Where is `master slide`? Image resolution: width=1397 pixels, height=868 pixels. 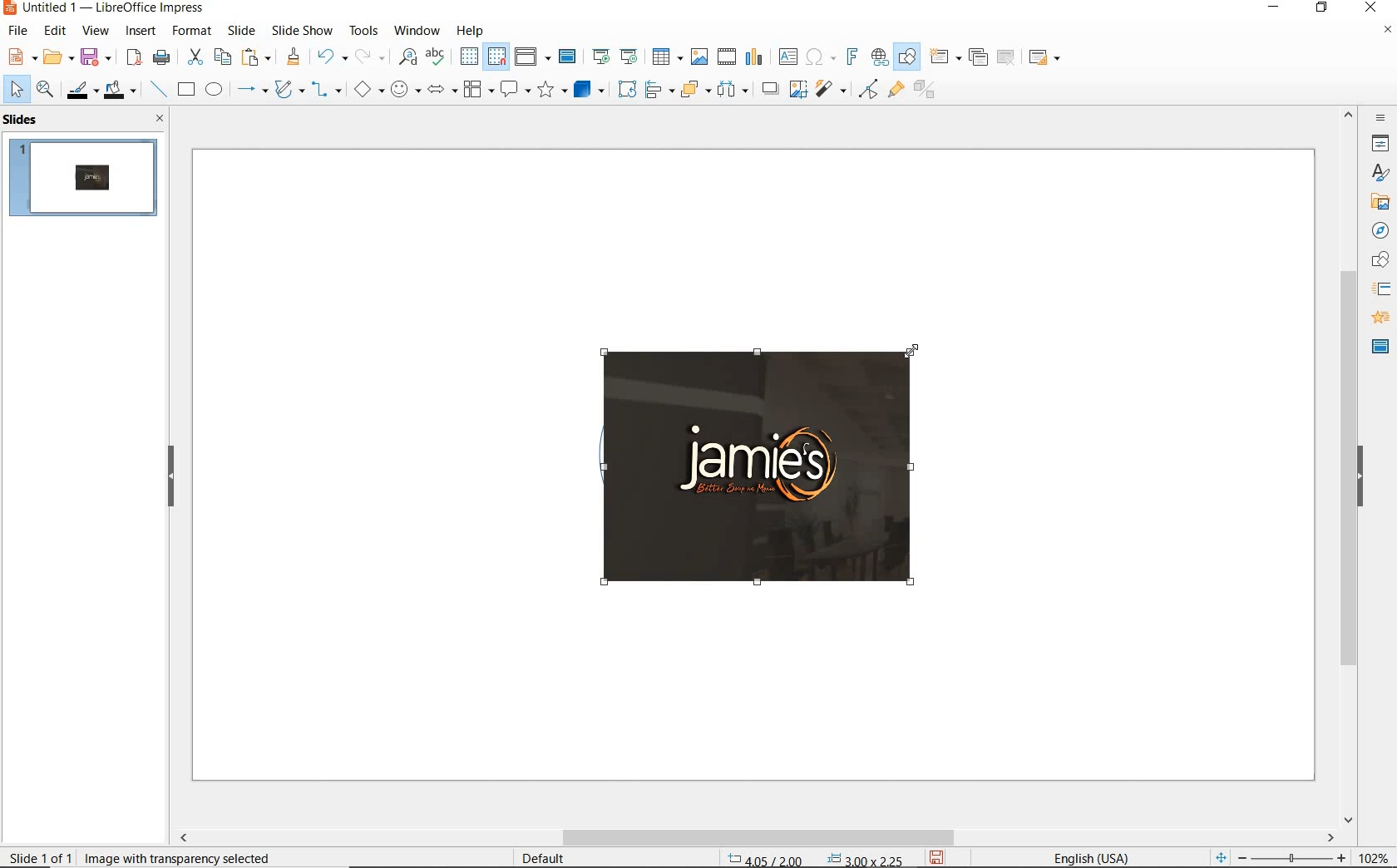 master slide is located at coordinates (1380, 345).